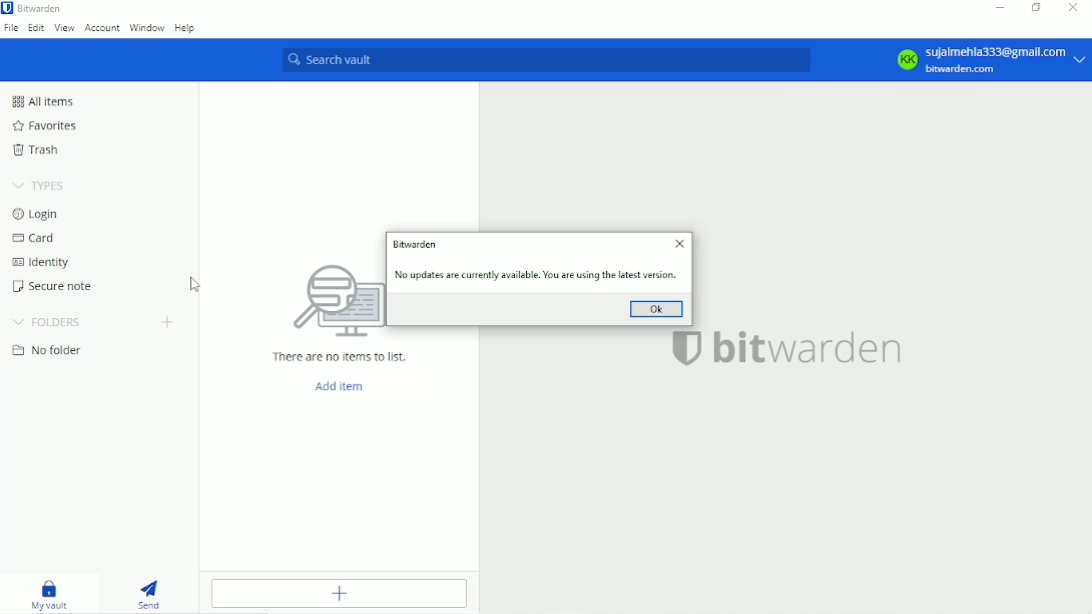 The image size is (1092, 614). I want to click on File, so click(12, 28).